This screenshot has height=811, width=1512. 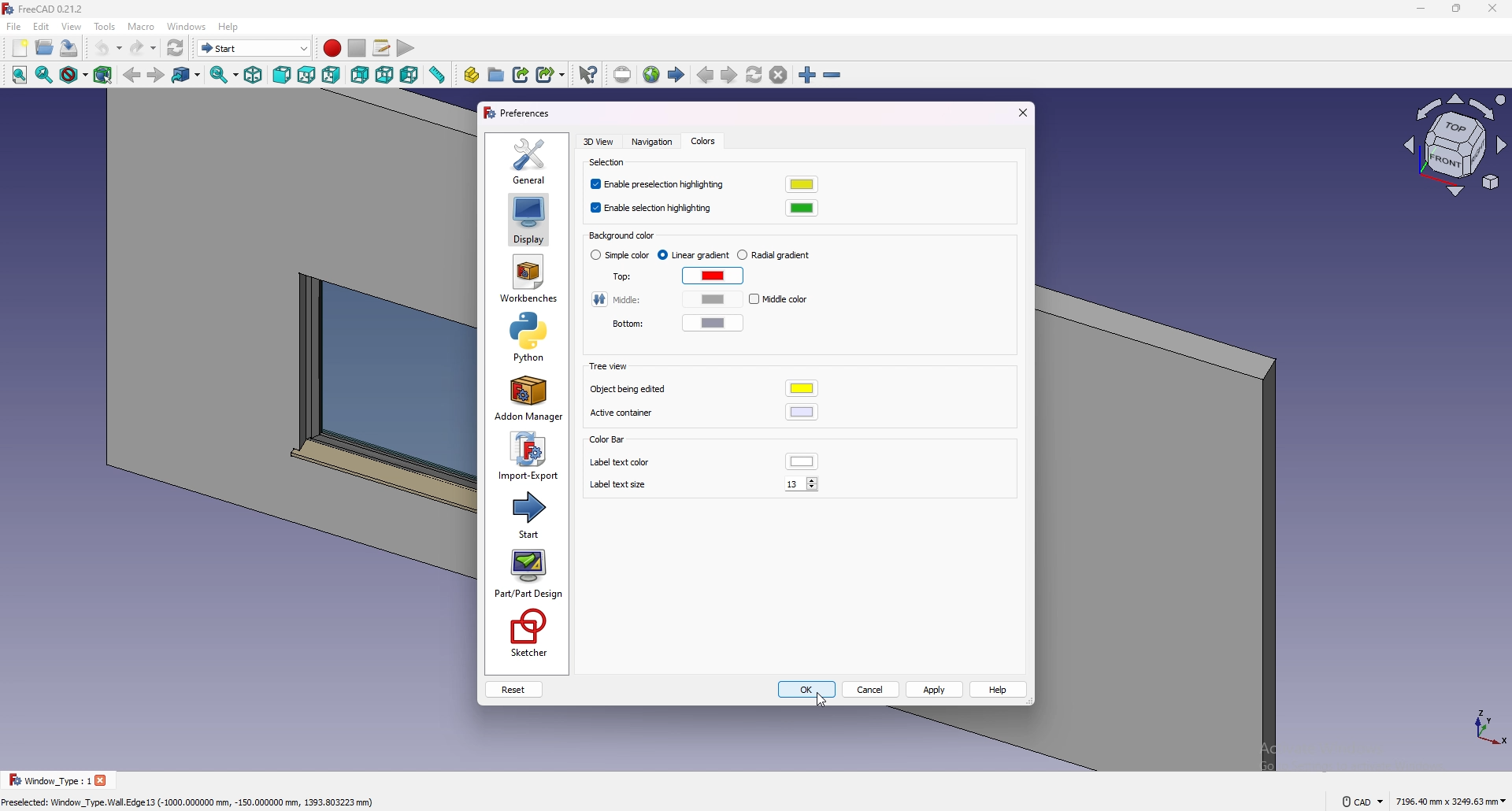 What do you see at coordinates (729, 76) in the screenshot?
I see `next page` at bounding box center [729, 76].